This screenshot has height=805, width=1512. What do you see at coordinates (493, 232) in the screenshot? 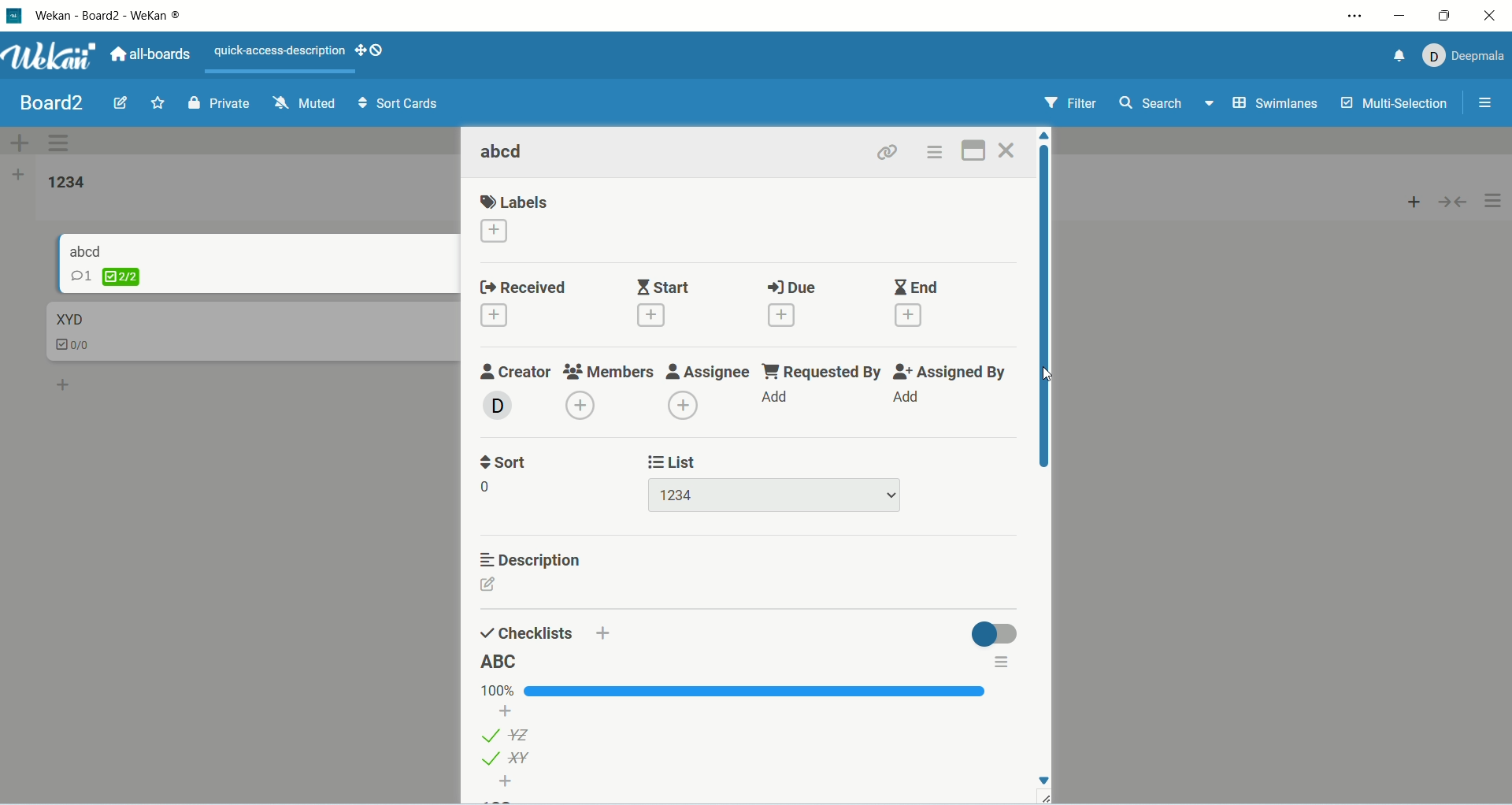
I see `add` at bounding box center [493, 232].